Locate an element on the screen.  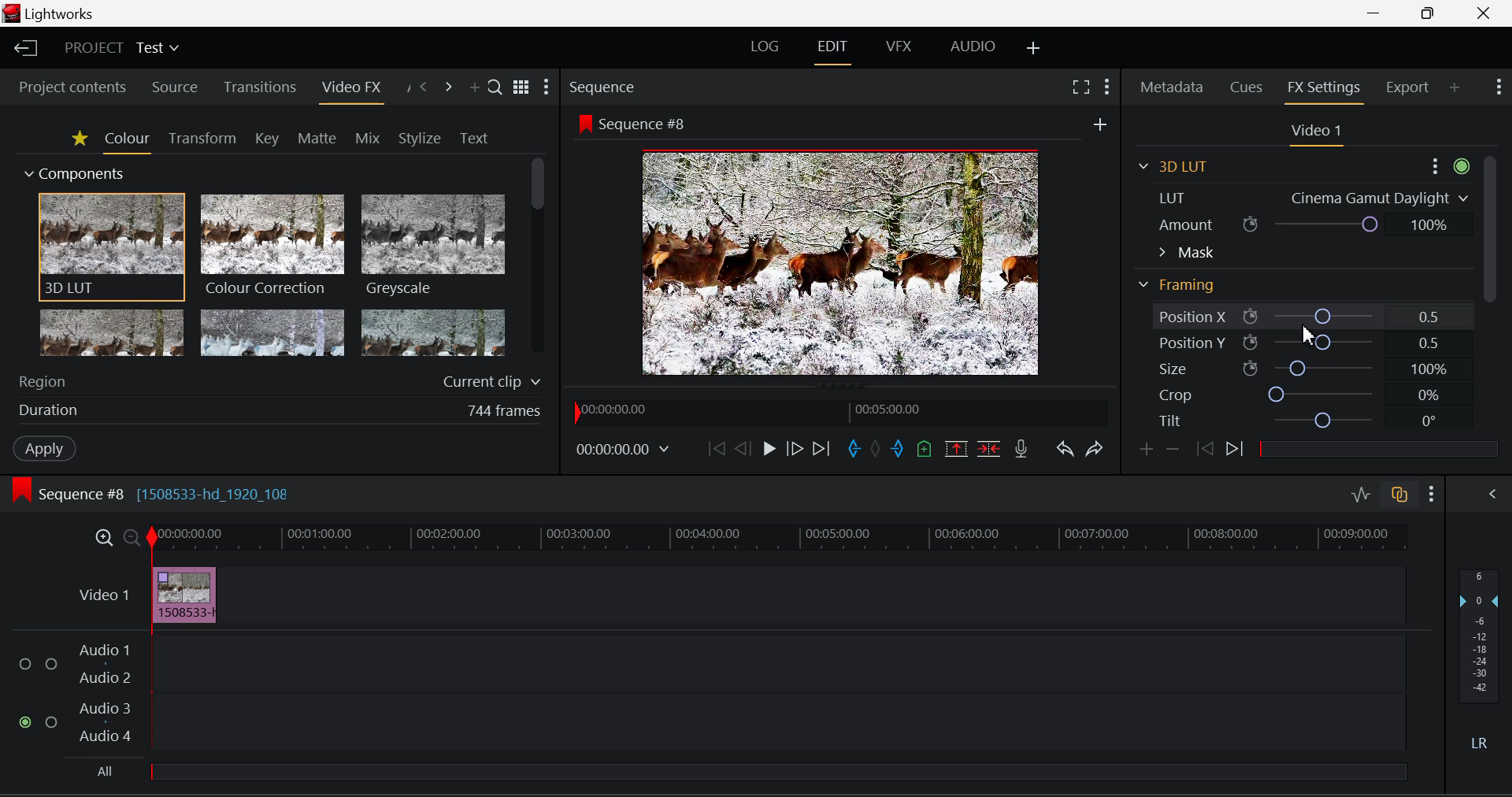
Audio 2 is located at coordinates (107, 679).